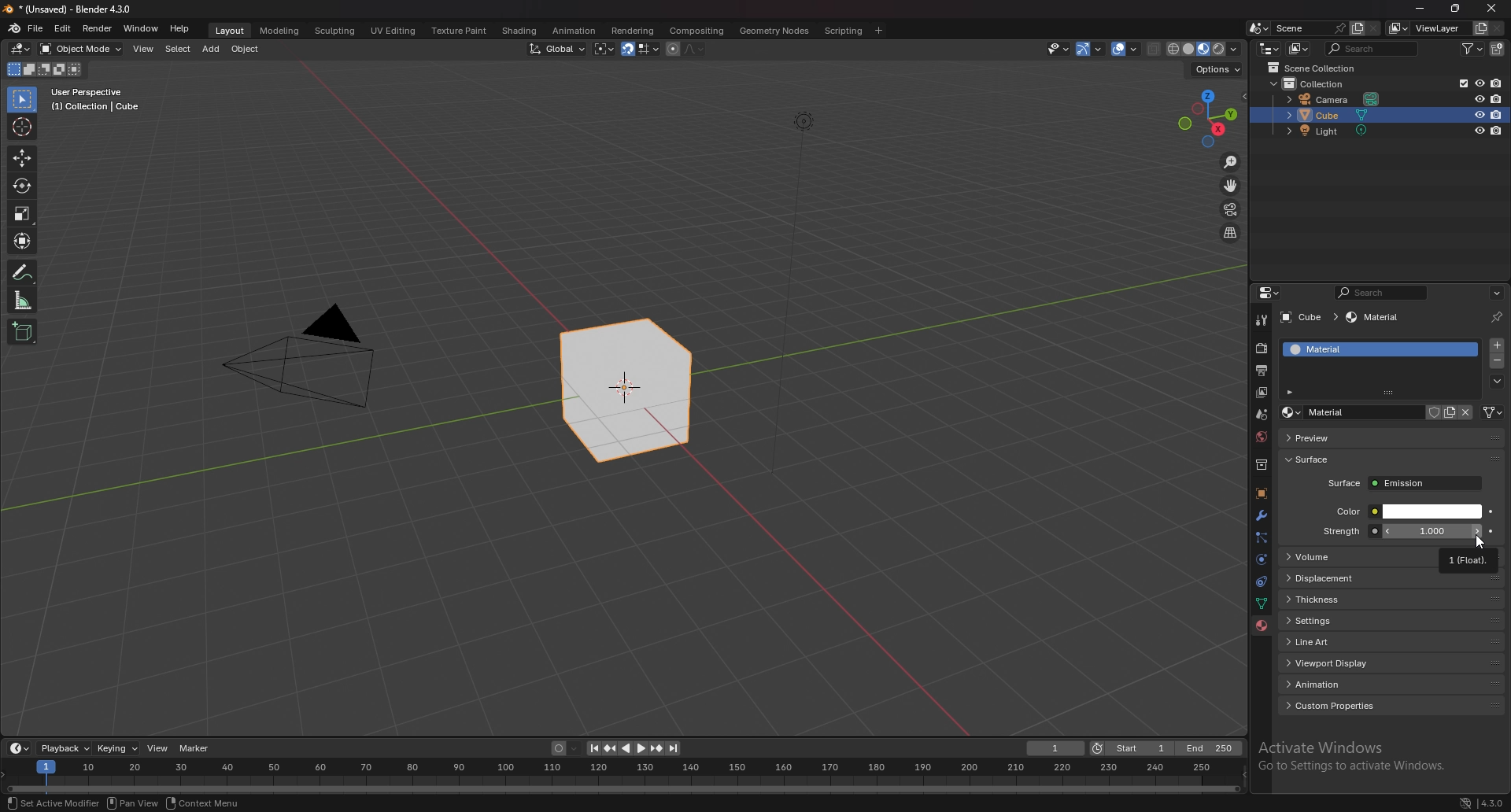 This screenshot has width=1511, height=812. Describe the element at coordinates (657, 748) in the screenshot. I see `jump to keyframe` at that location.